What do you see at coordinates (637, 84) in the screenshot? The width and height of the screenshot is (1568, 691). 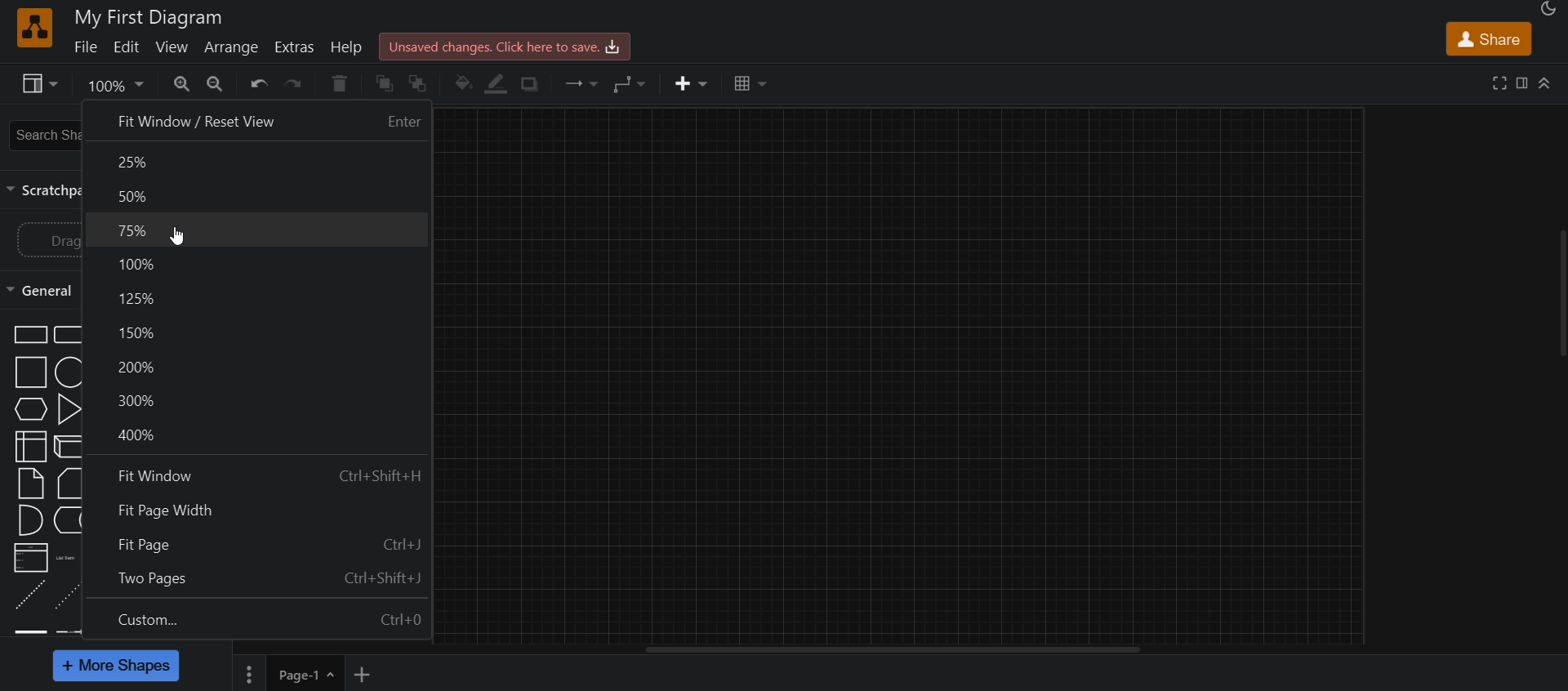 I see `waypoints` at bounding box center [637, 84].